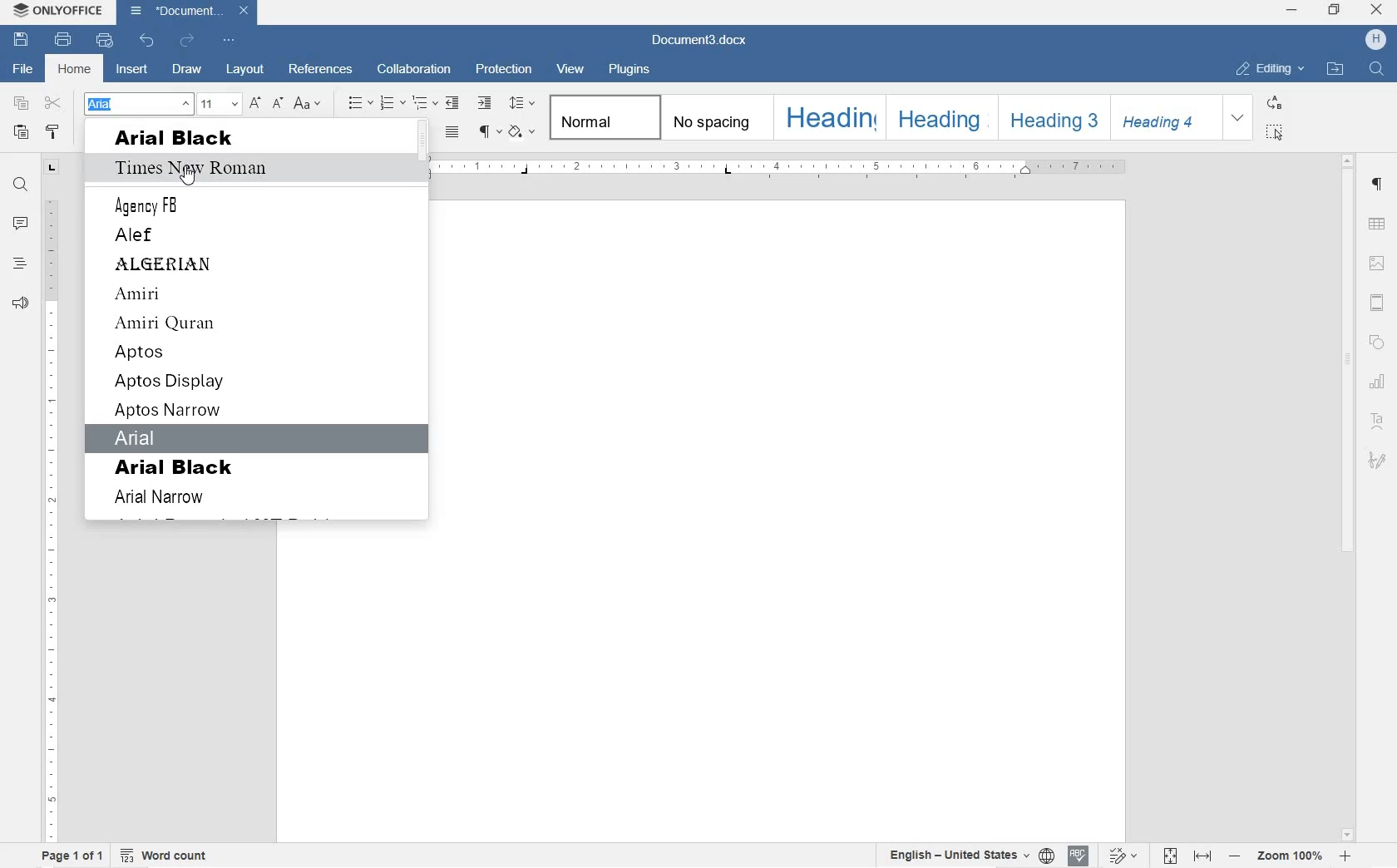 Image resolution: width=1397 pixels, height=868 pixels. I want to click on ARIAL, so click(137, 106).